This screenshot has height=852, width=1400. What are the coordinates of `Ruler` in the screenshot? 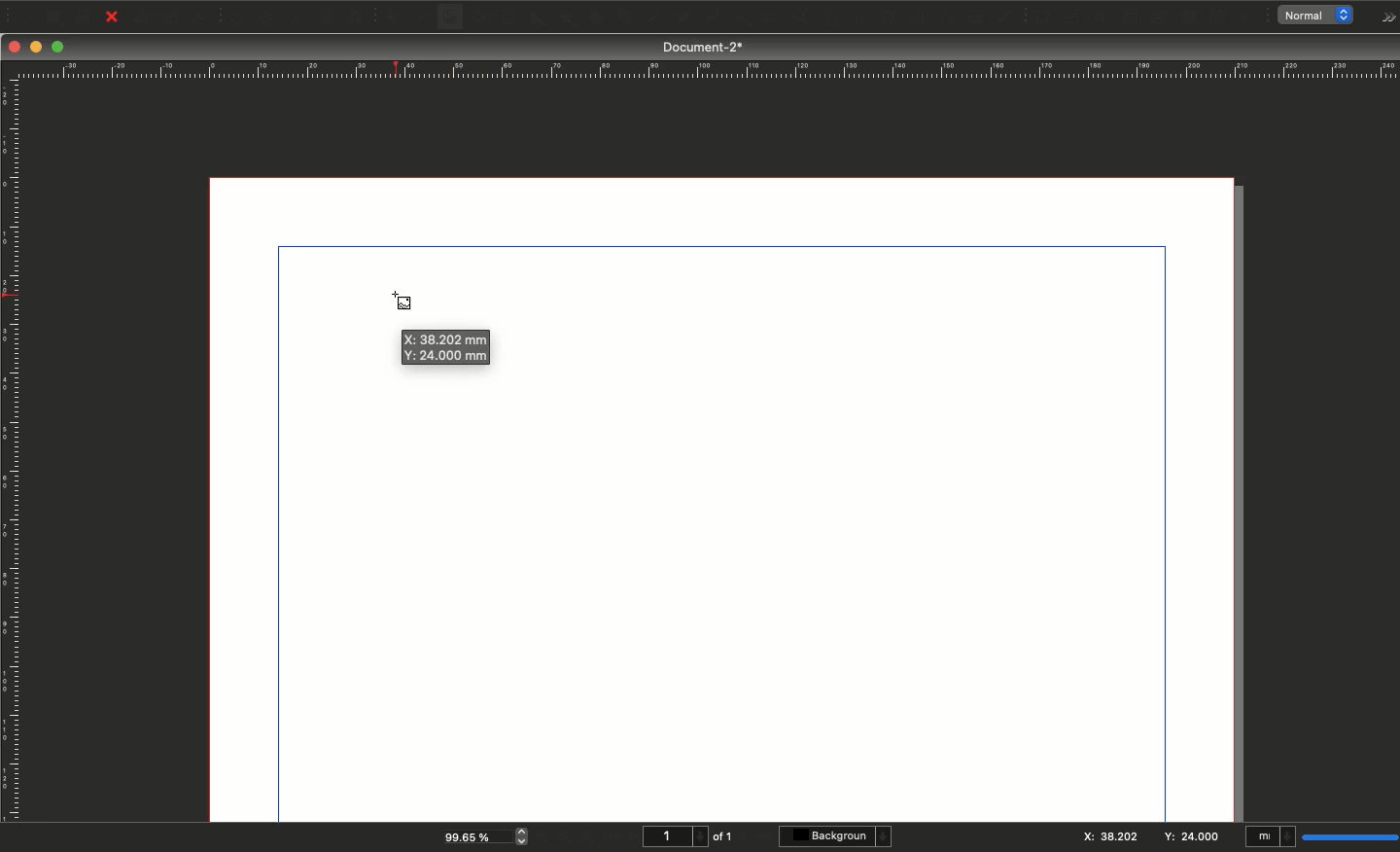 It's located at (13, 451).